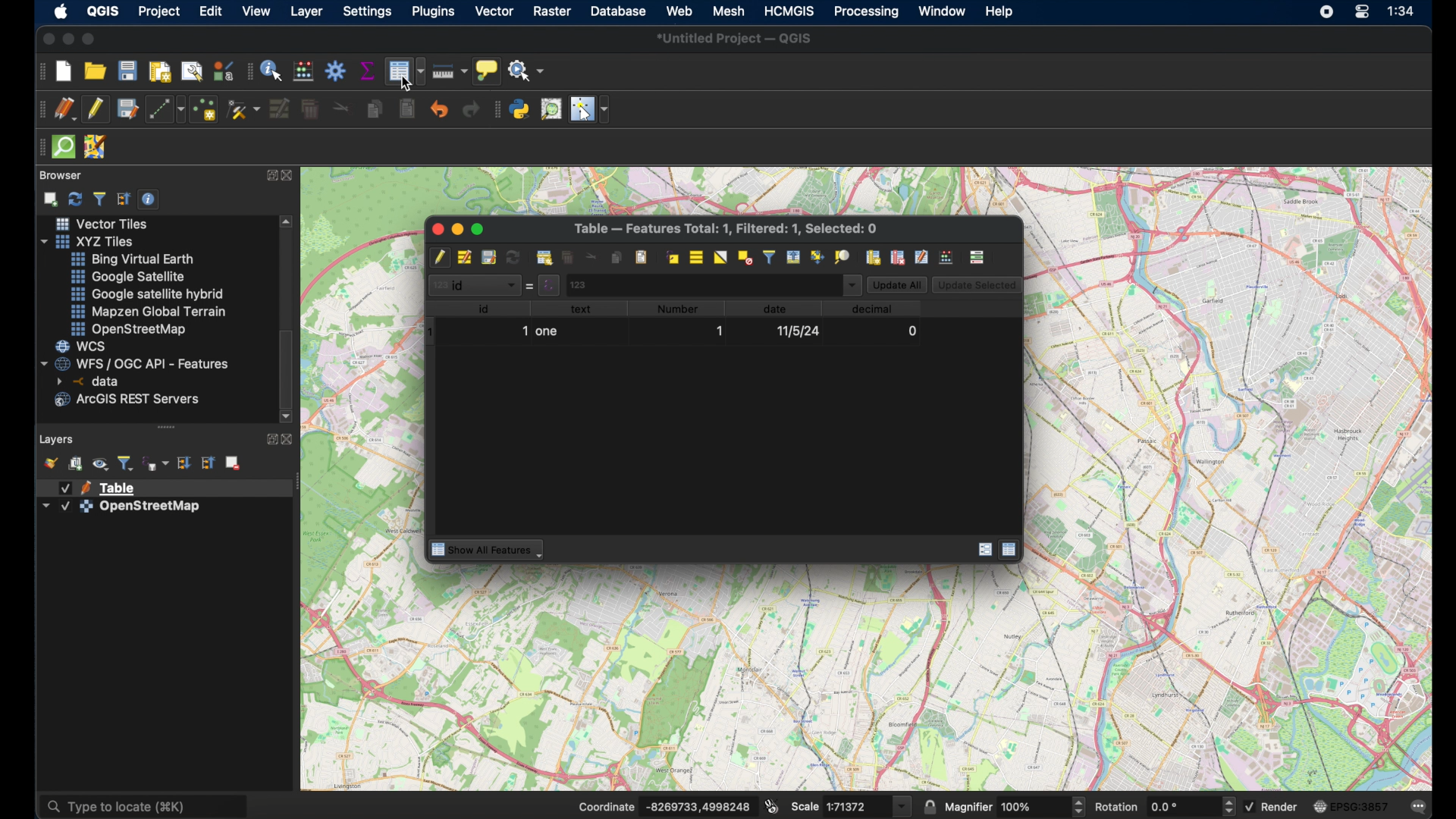 The height and width of the screenshot is (819, 1456). I want to click on open street map, so click(127, 328).